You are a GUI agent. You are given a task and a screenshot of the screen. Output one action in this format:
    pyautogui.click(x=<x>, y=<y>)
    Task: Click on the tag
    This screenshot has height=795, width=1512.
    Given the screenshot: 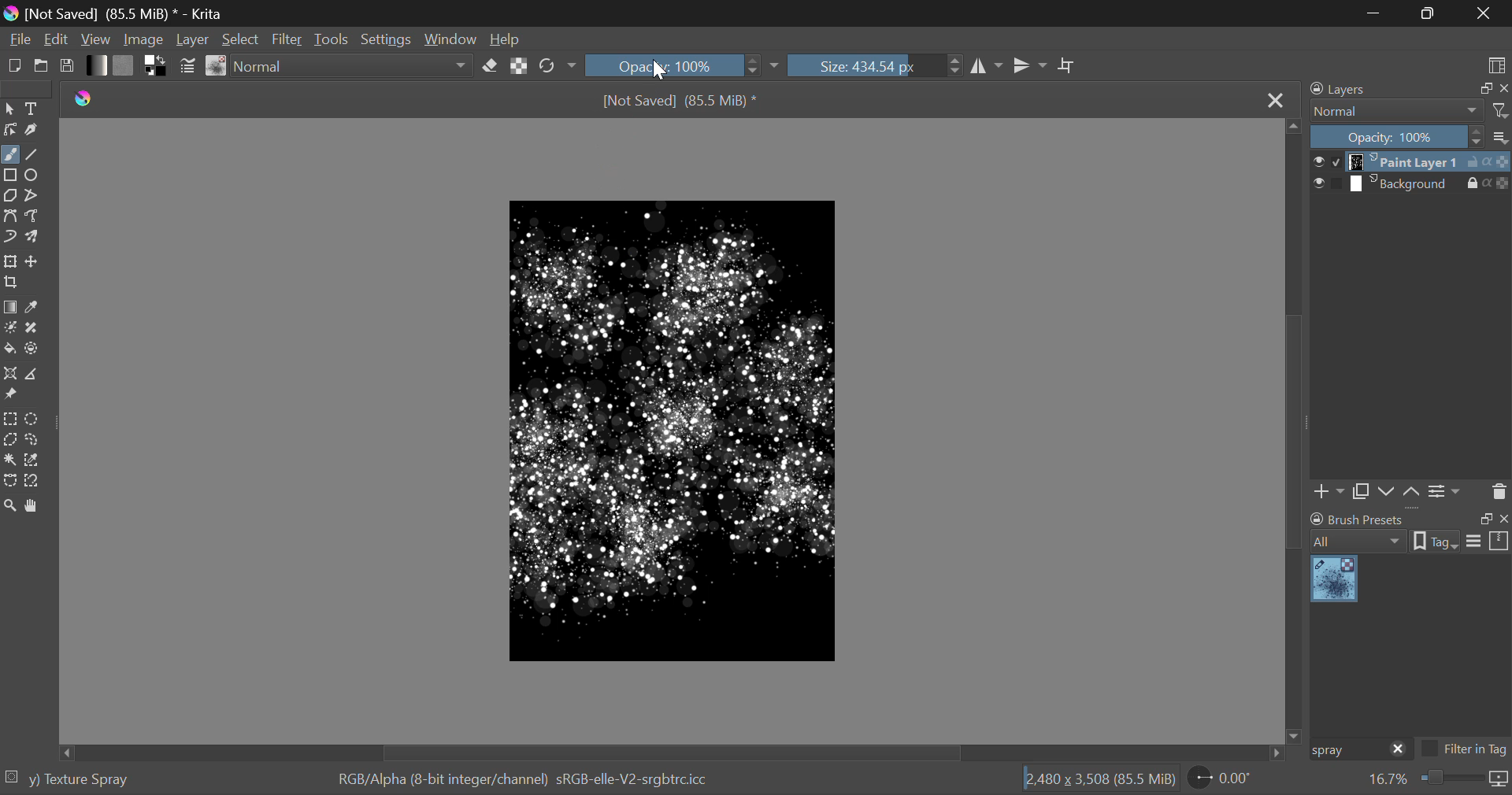 What is the action you would take?
    pyautogui.click(x=1436, y=543)
    